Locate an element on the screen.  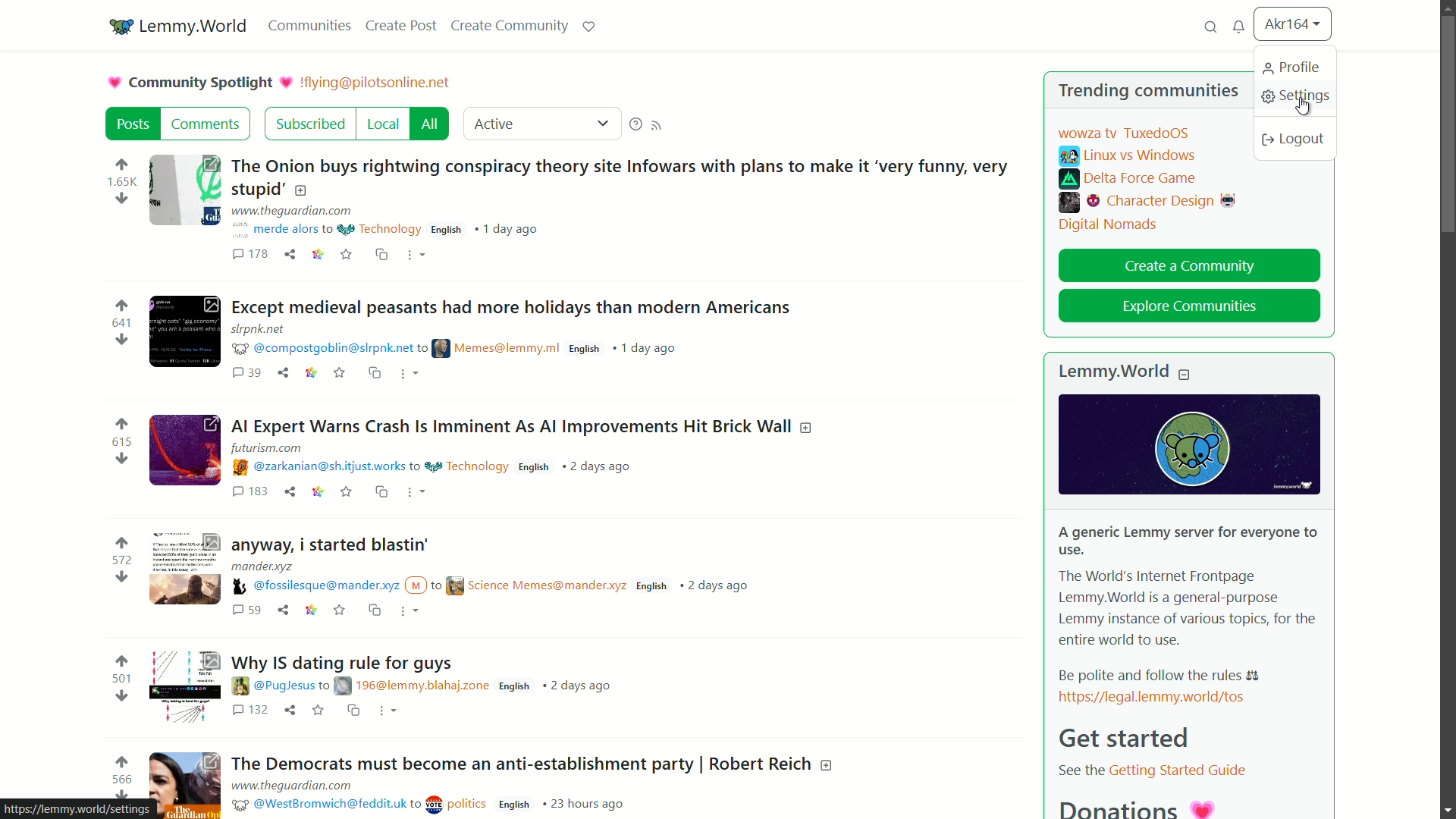
cs is located at coordinates (352, 709).